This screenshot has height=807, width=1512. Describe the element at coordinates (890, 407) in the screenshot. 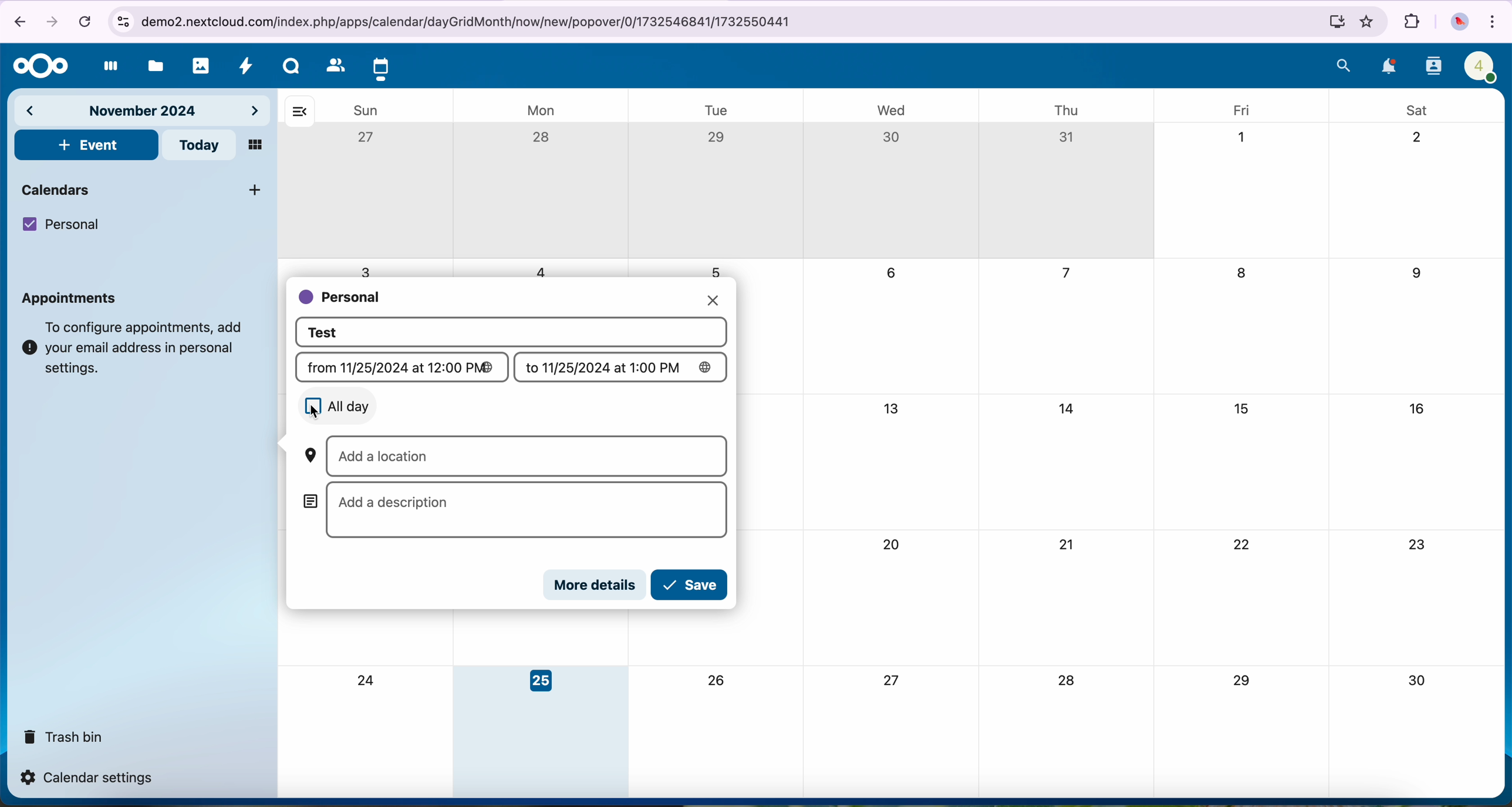

I see `13` at that location.